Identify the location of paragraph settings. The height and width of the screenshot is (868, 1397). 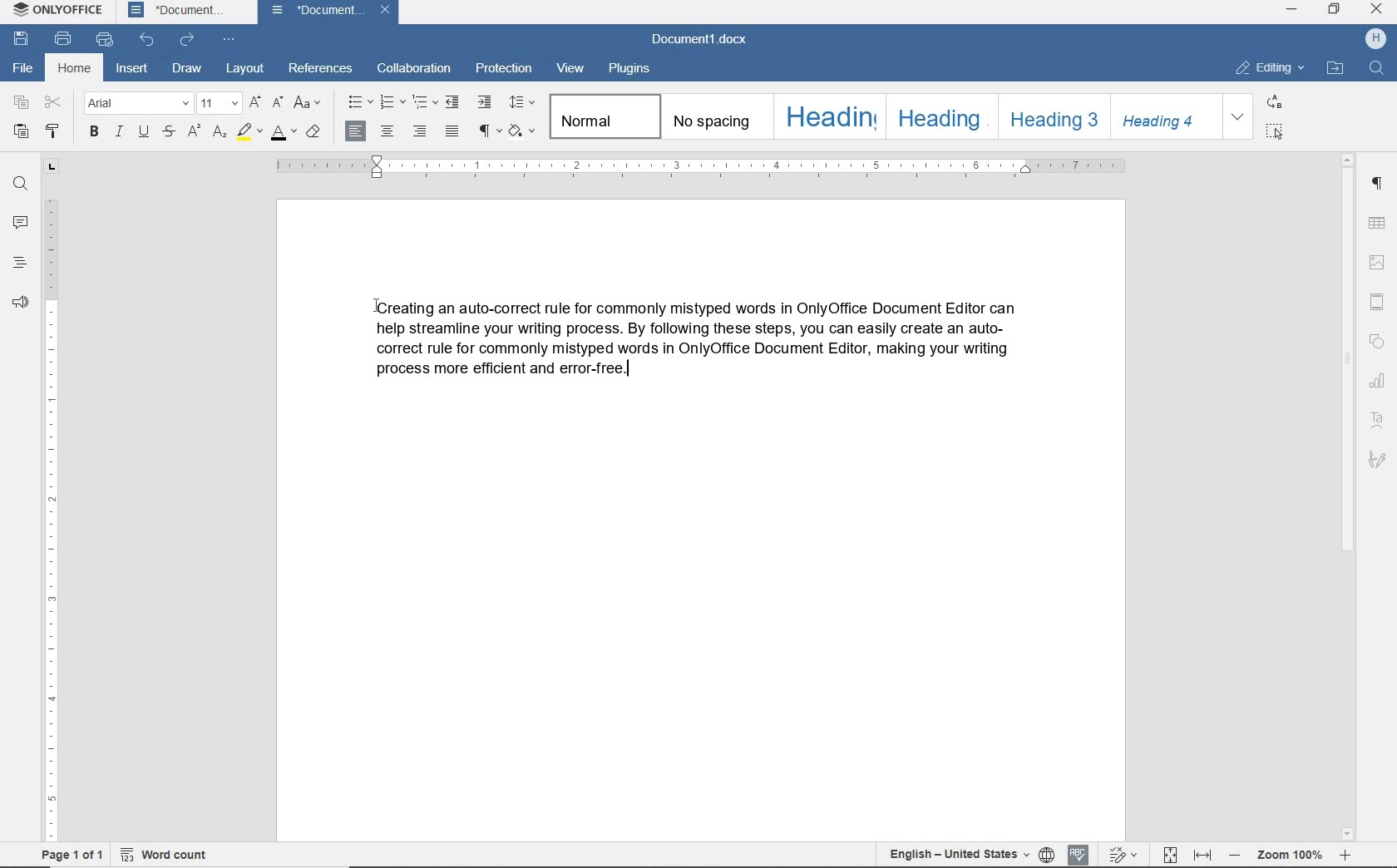
(1379, 184).